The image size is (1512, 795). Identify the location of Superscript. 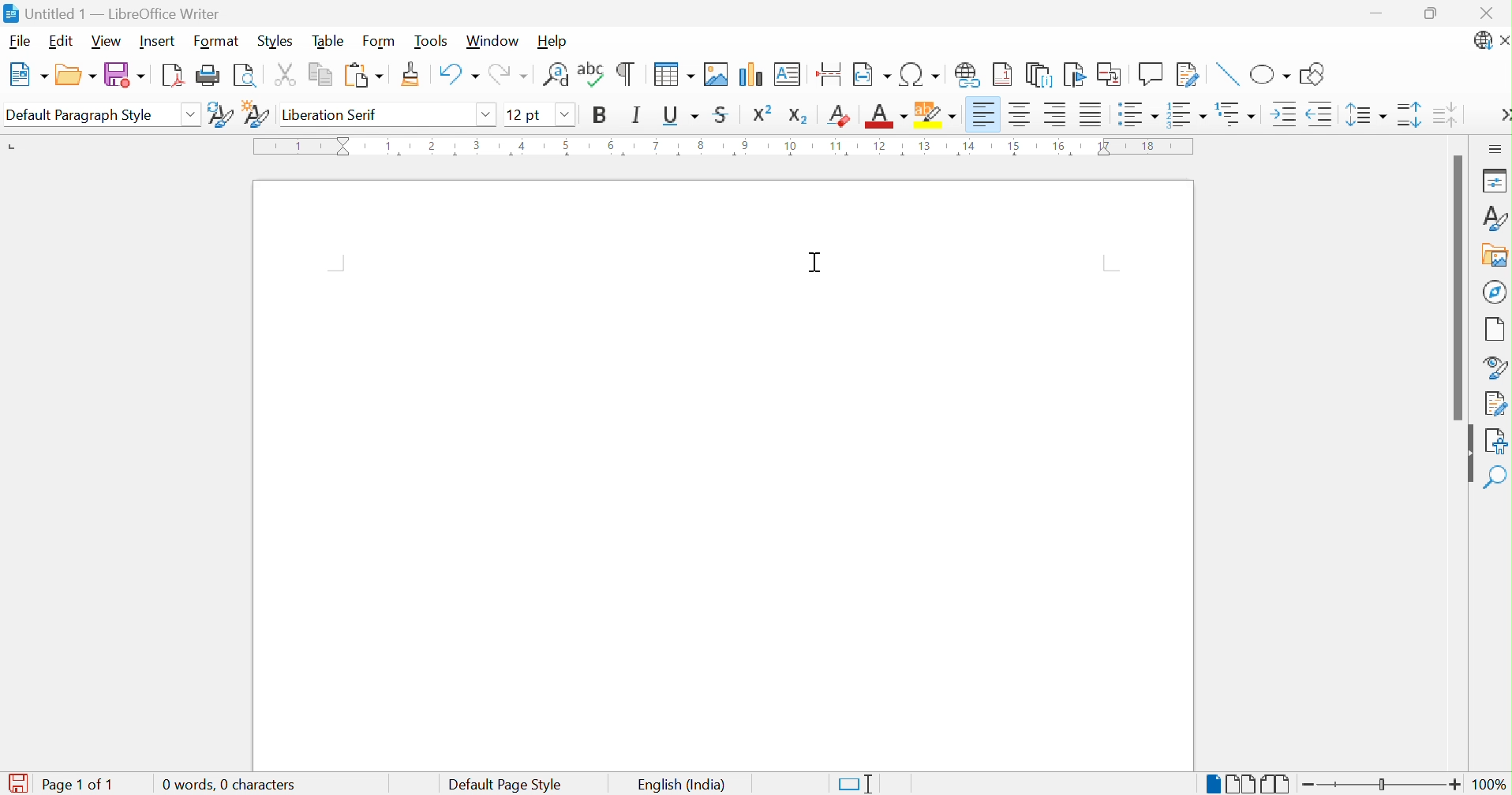
(761, 115).